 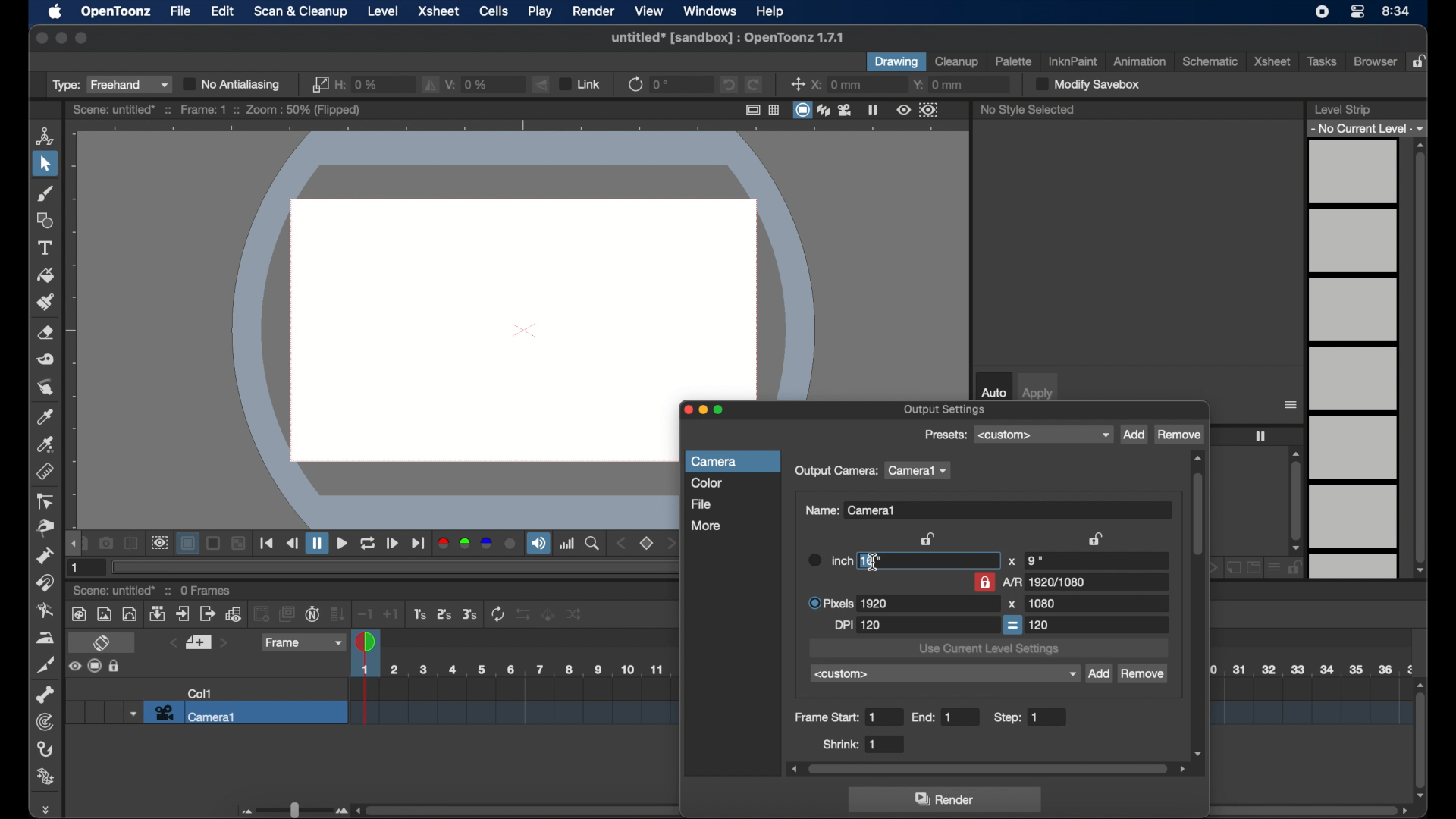 What do you see at coordinates (649, 10) in the screenshot?
I see `view` at bounding box center [649, 10].